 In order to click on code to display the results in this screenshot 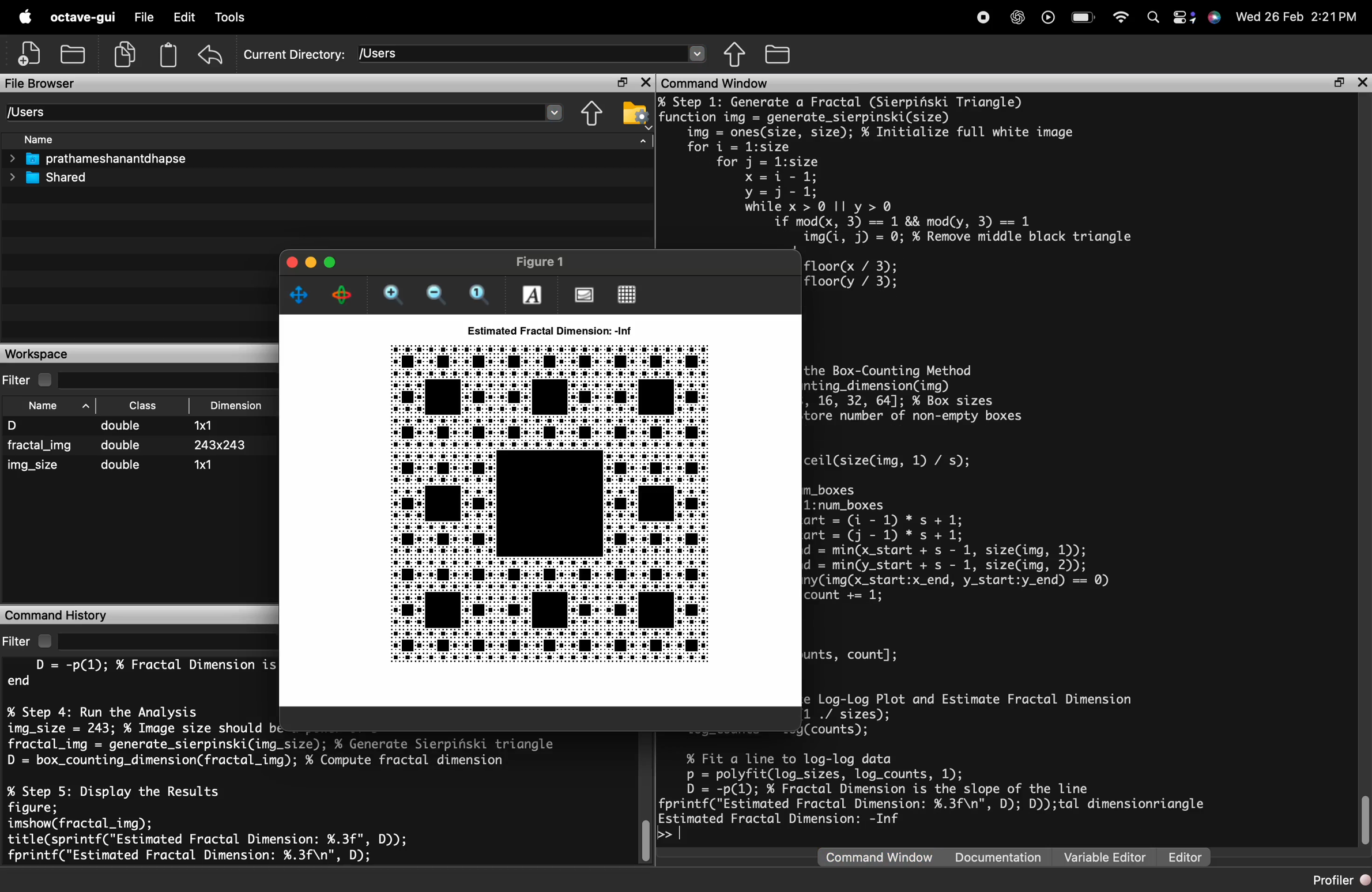, I will do `click(223, 826)`.